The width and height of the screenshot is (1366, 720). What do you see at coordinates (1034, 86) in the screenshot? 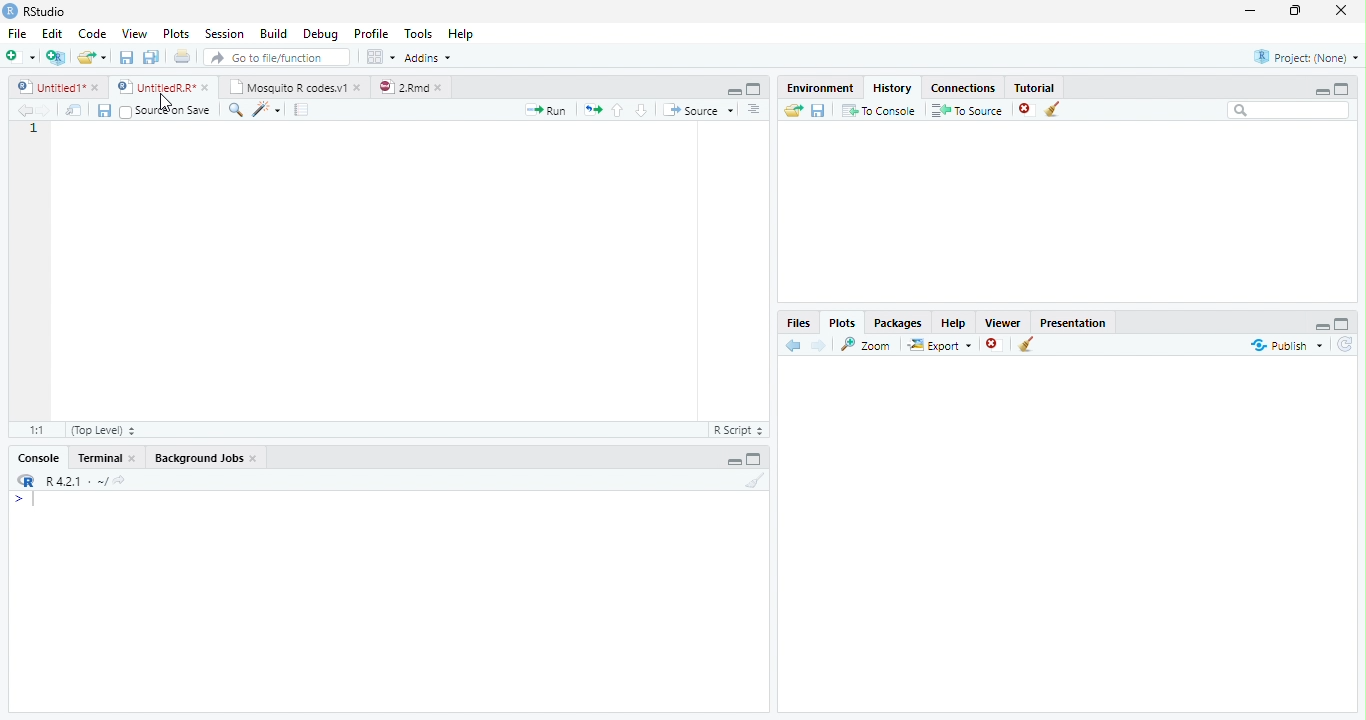
I see `Tutorial` at bounding box center [1034, 86].